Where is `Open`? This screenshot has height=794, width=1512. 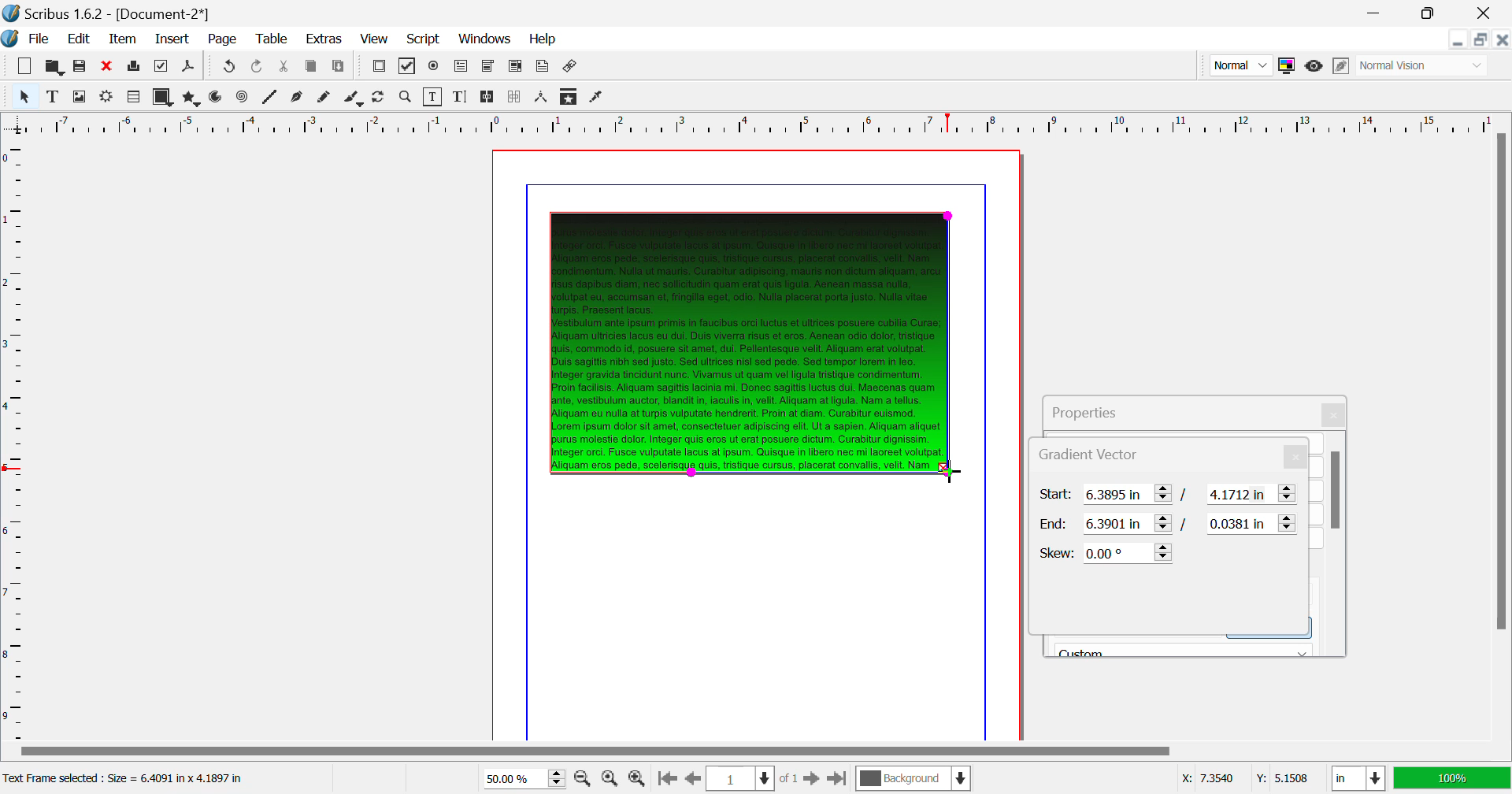 Open is located at coordinates (54, 65).